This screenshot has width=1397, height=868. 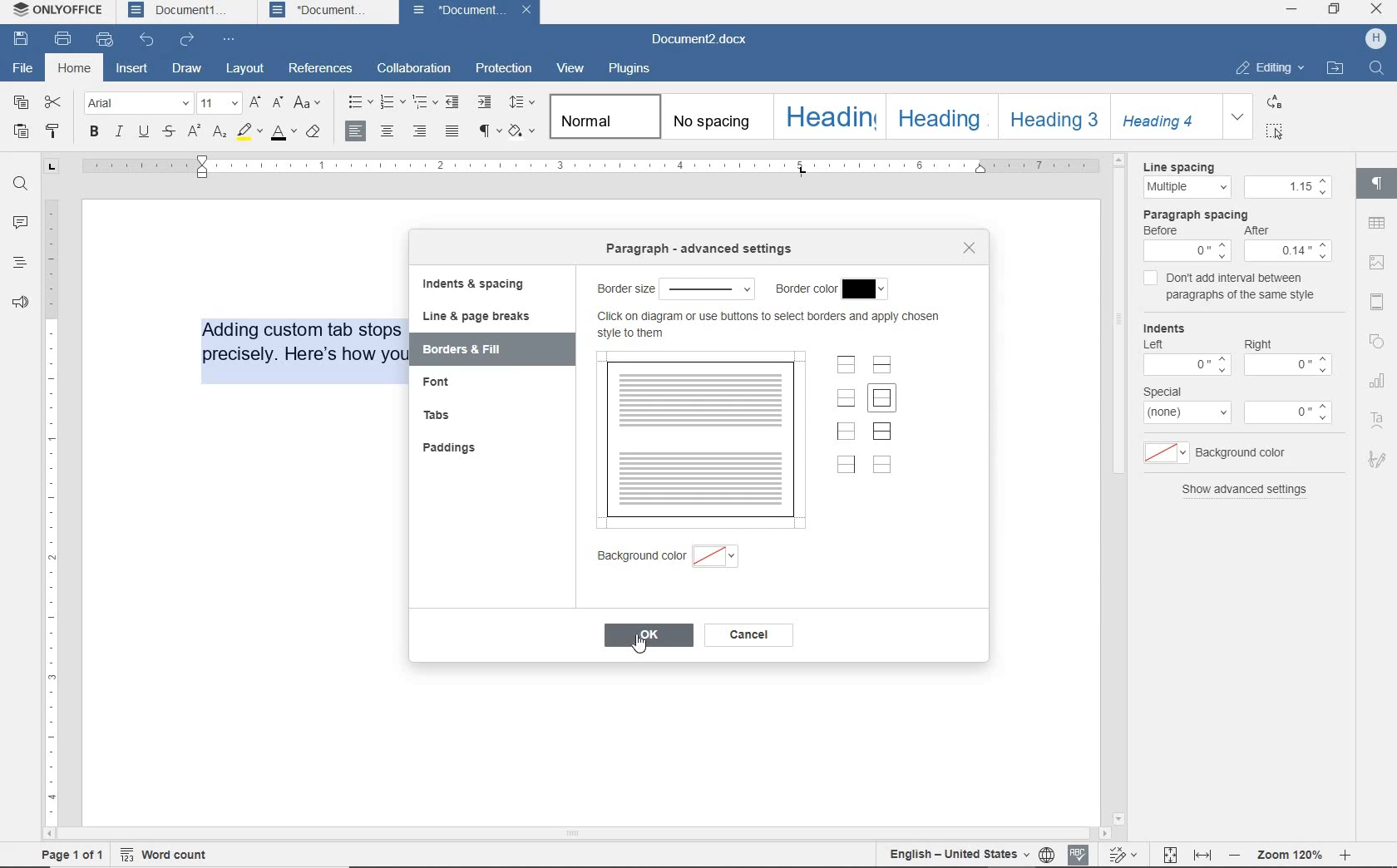 What do you see at coordinates (1167, 326) in the screenshot?
I see `indents` at bounding box center [1167, 326].